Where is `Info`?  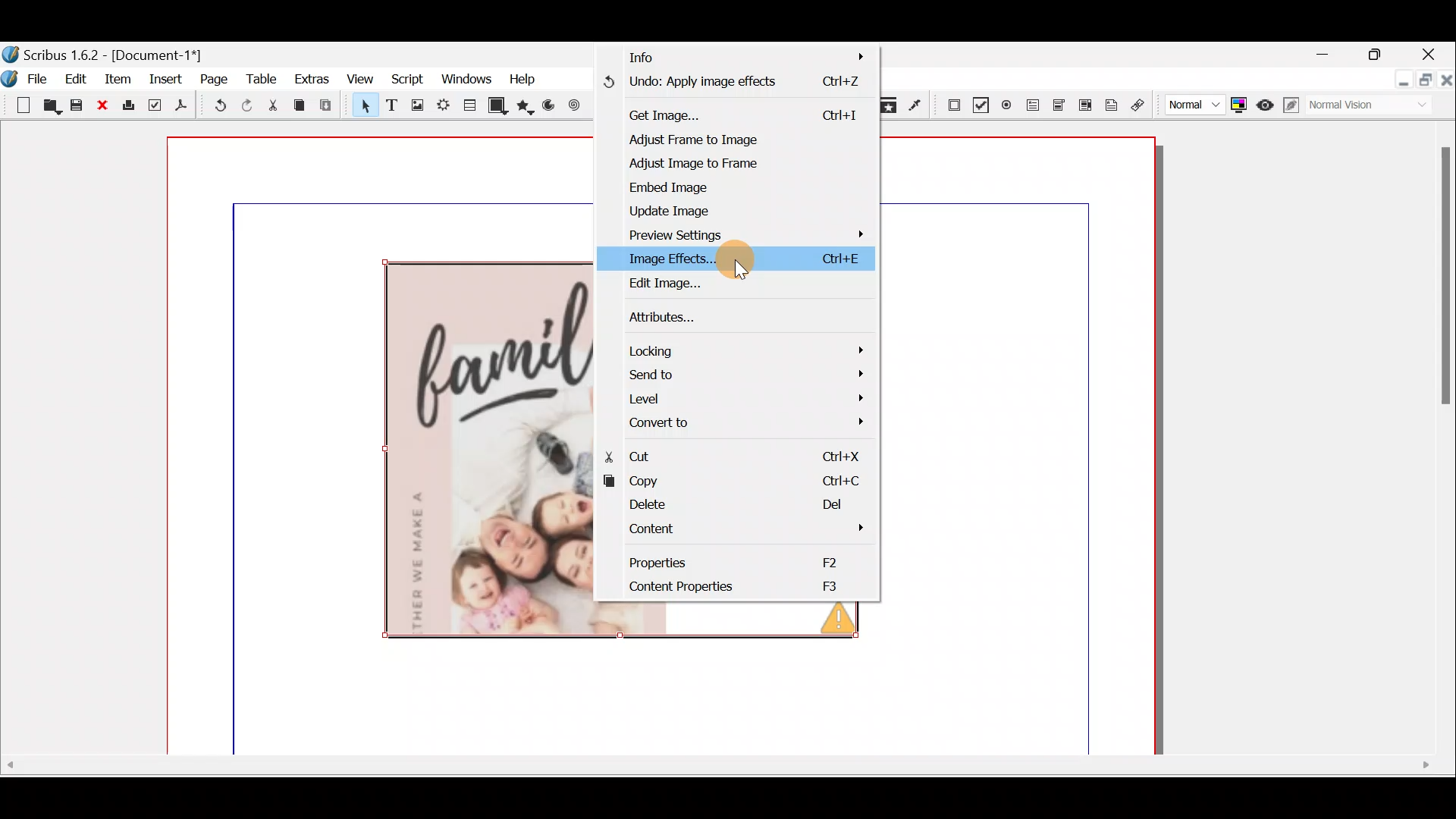
Info is located at coordinates (720, 60).